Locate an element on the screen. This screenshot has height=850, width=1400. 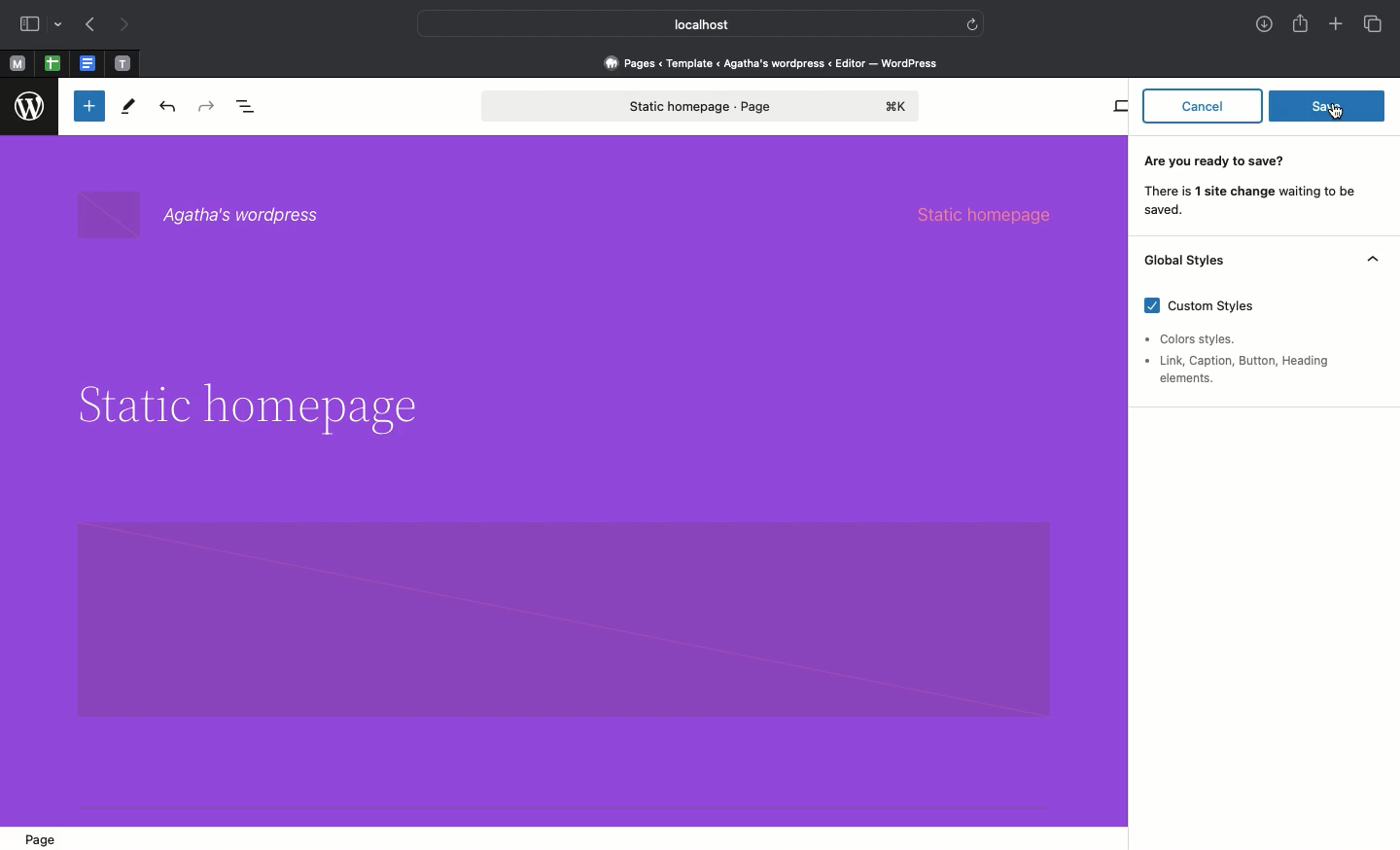
 is located at coordinates (1327, 105).